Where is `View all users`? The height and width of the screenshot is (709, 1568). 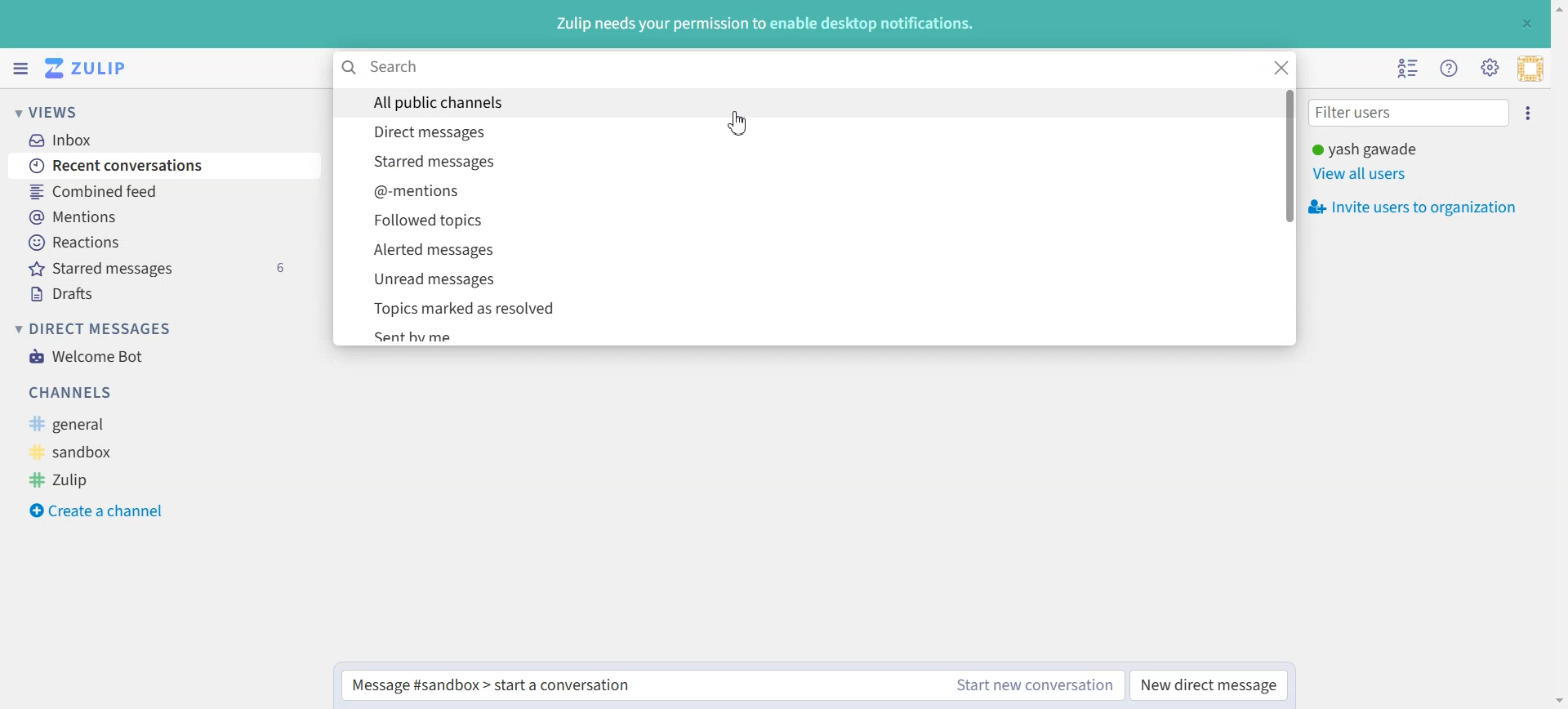
View all users is located at coordinates (1370, 174).